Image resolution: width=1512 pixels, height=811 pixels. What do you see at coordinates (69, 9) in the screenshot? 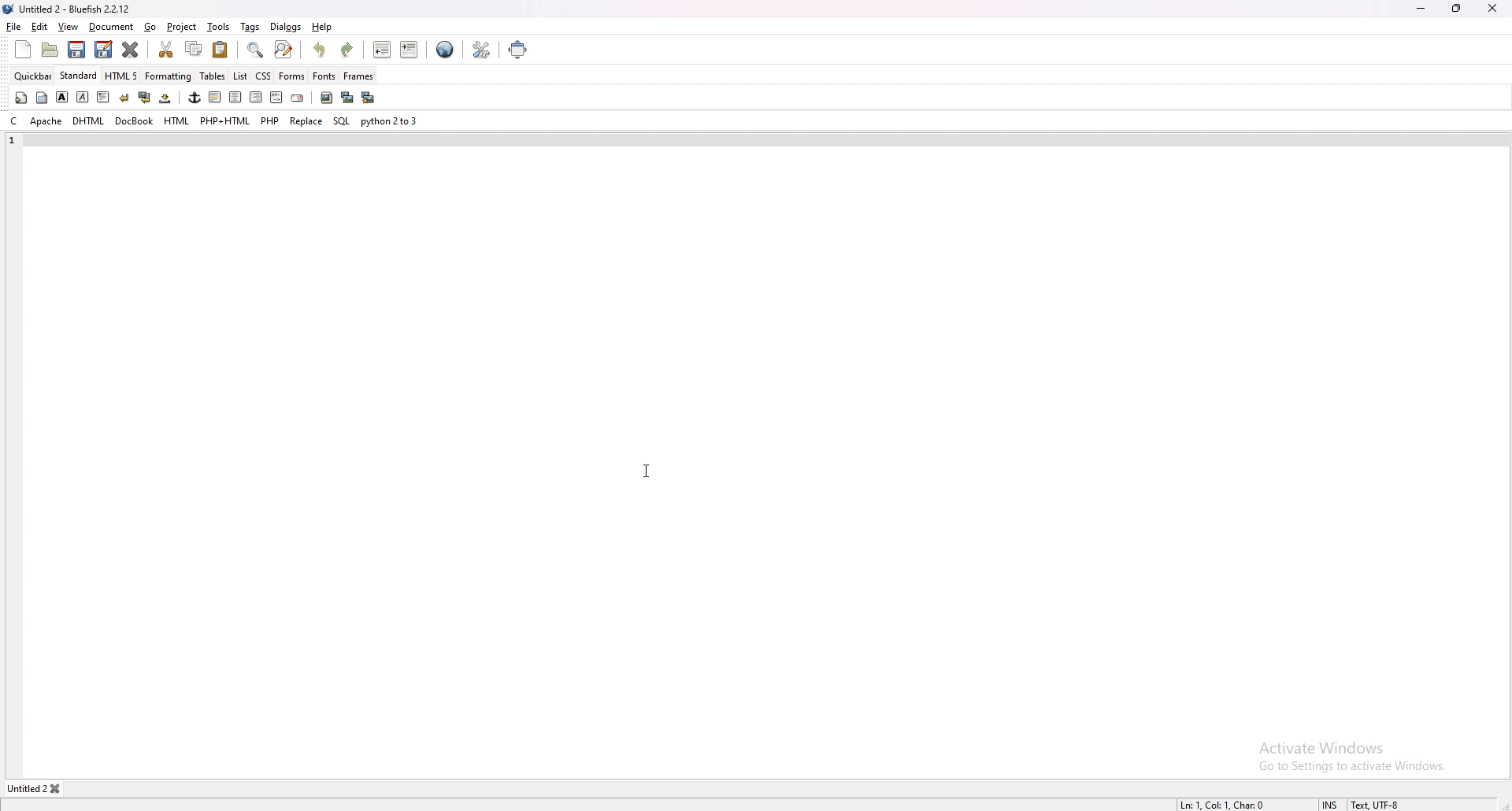
I see `file name` at bounding box center [69, 9].